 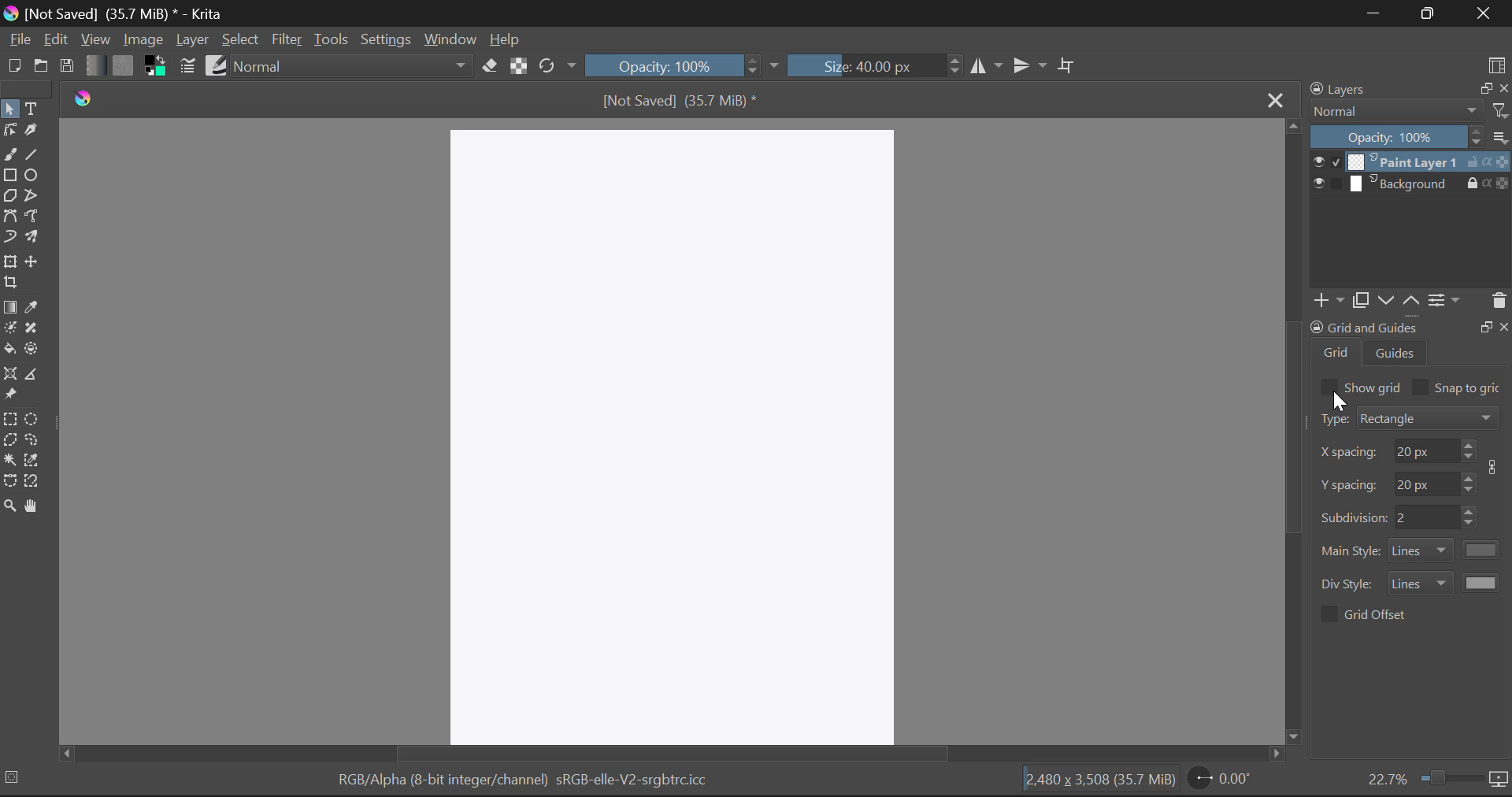 I want to click on Layer, so click(x=193, y=40).